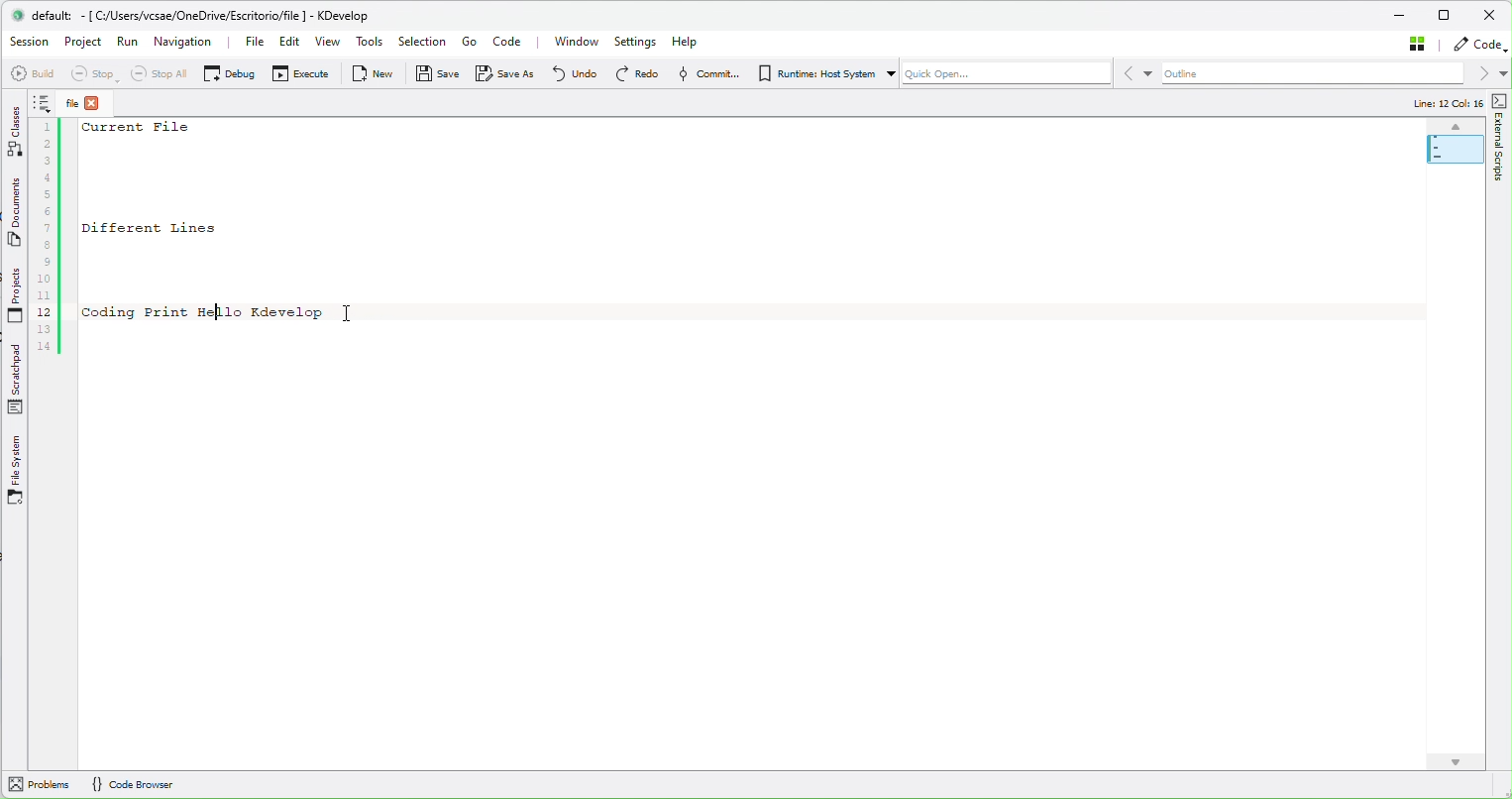 This screenshot has width=1512, height=799. I want to click on Go, so click(470, 43).